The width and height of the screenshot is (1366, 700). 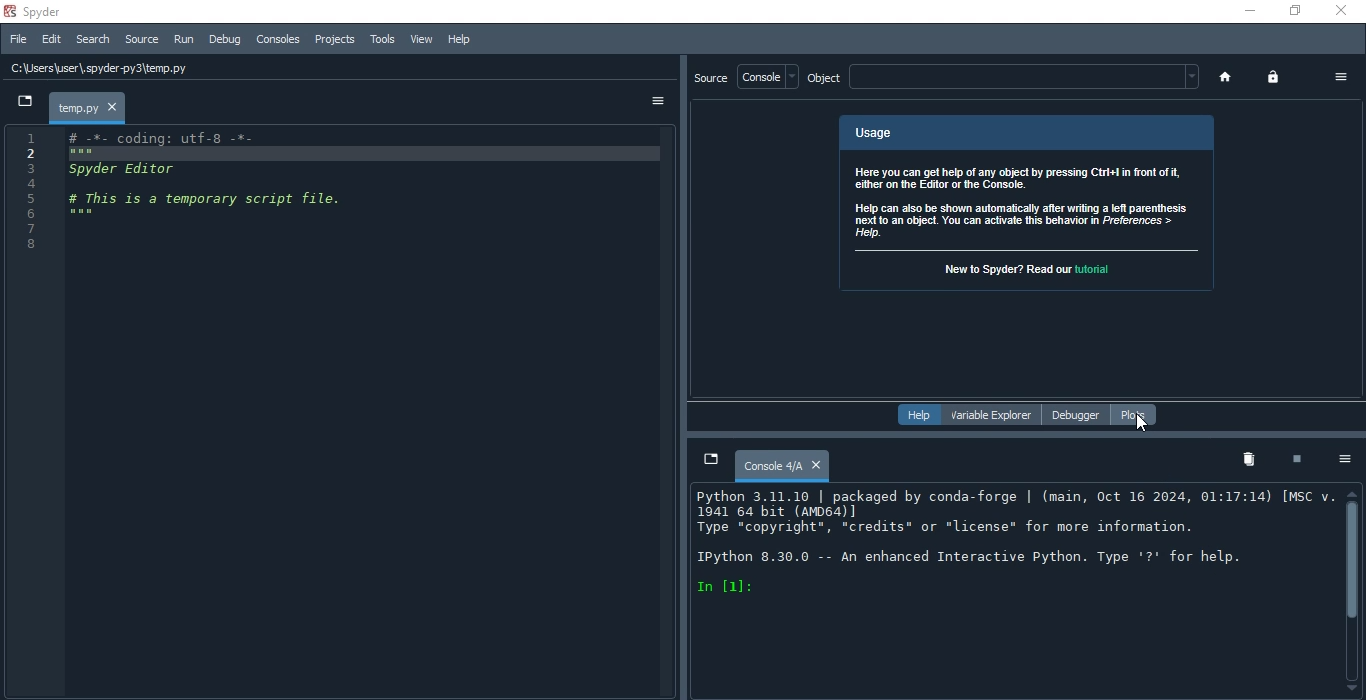 What do you see at coordinates (1001, 79) in the screenshot?
I see `object` at bounding box center [1001, 79].